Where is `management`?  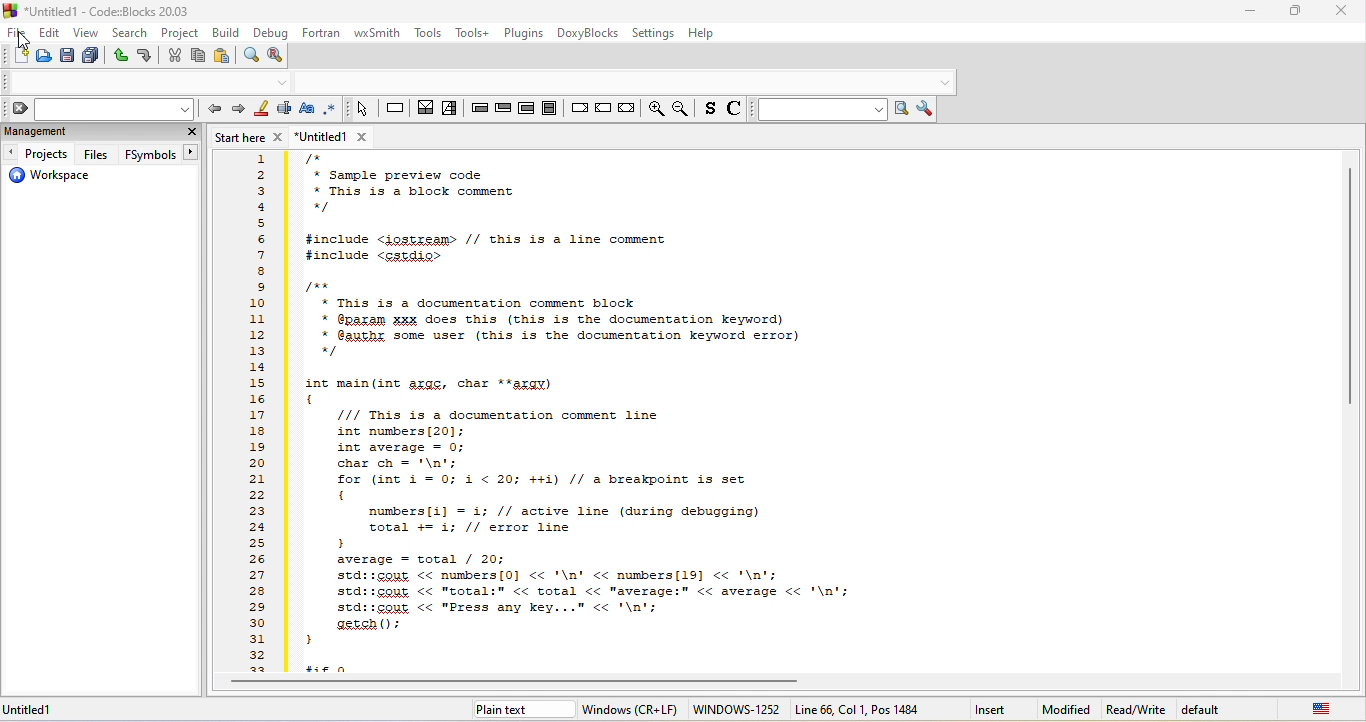
management is located at coordinates (85, 133).